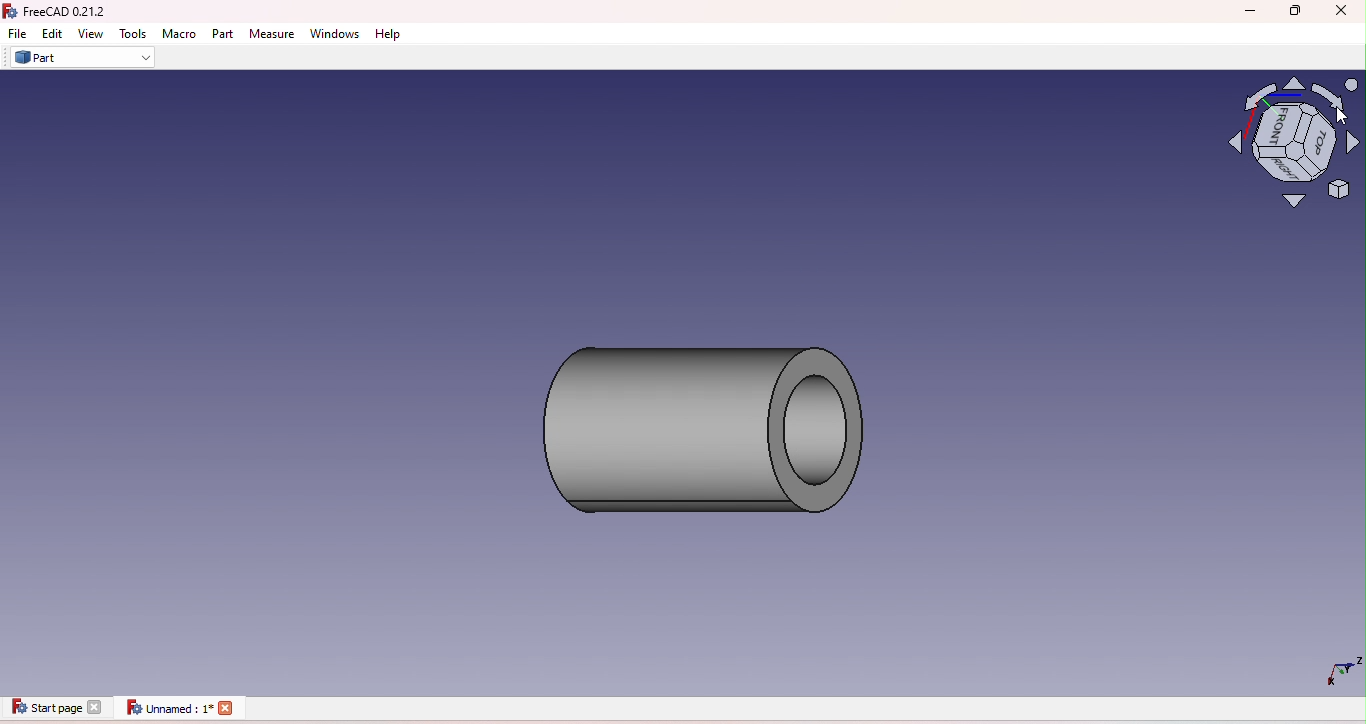  Describe the element at coordinates (56, 709) in the screenshot. I see `Start page` at that location.